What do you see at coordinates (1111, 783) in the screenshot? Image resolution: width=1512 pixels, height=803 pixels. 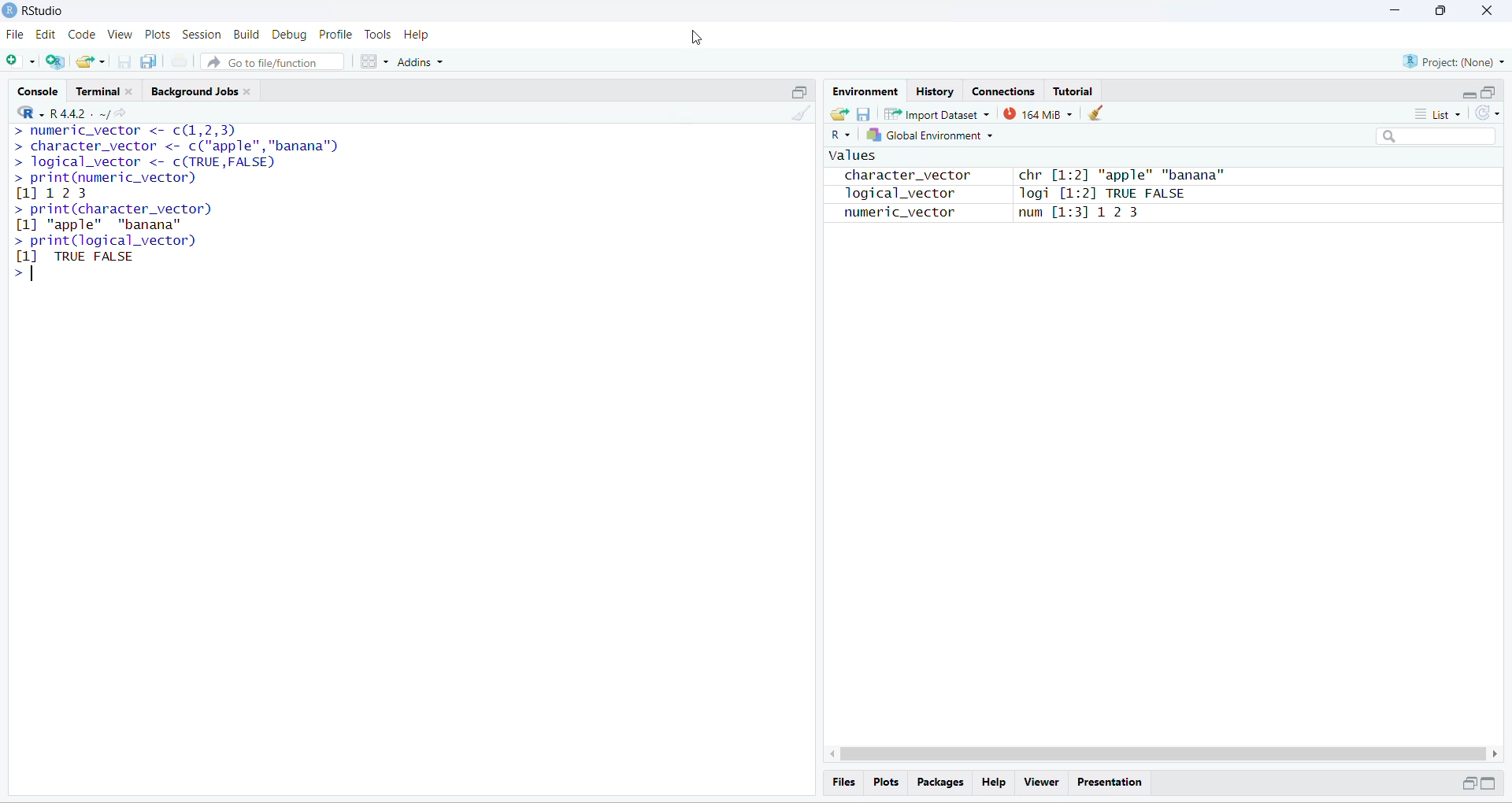 I see `Presentation` at bounding box center [1111, 783].